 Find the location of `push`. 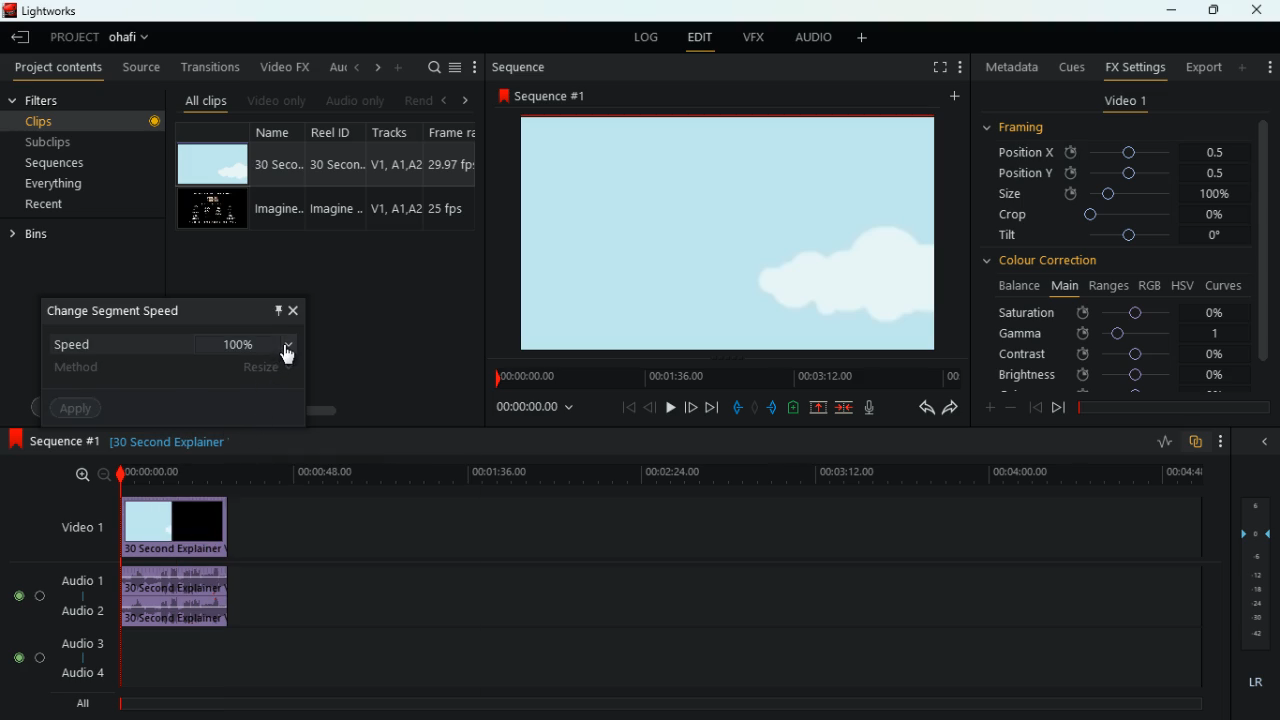

push is located at coordinates (773, 407).